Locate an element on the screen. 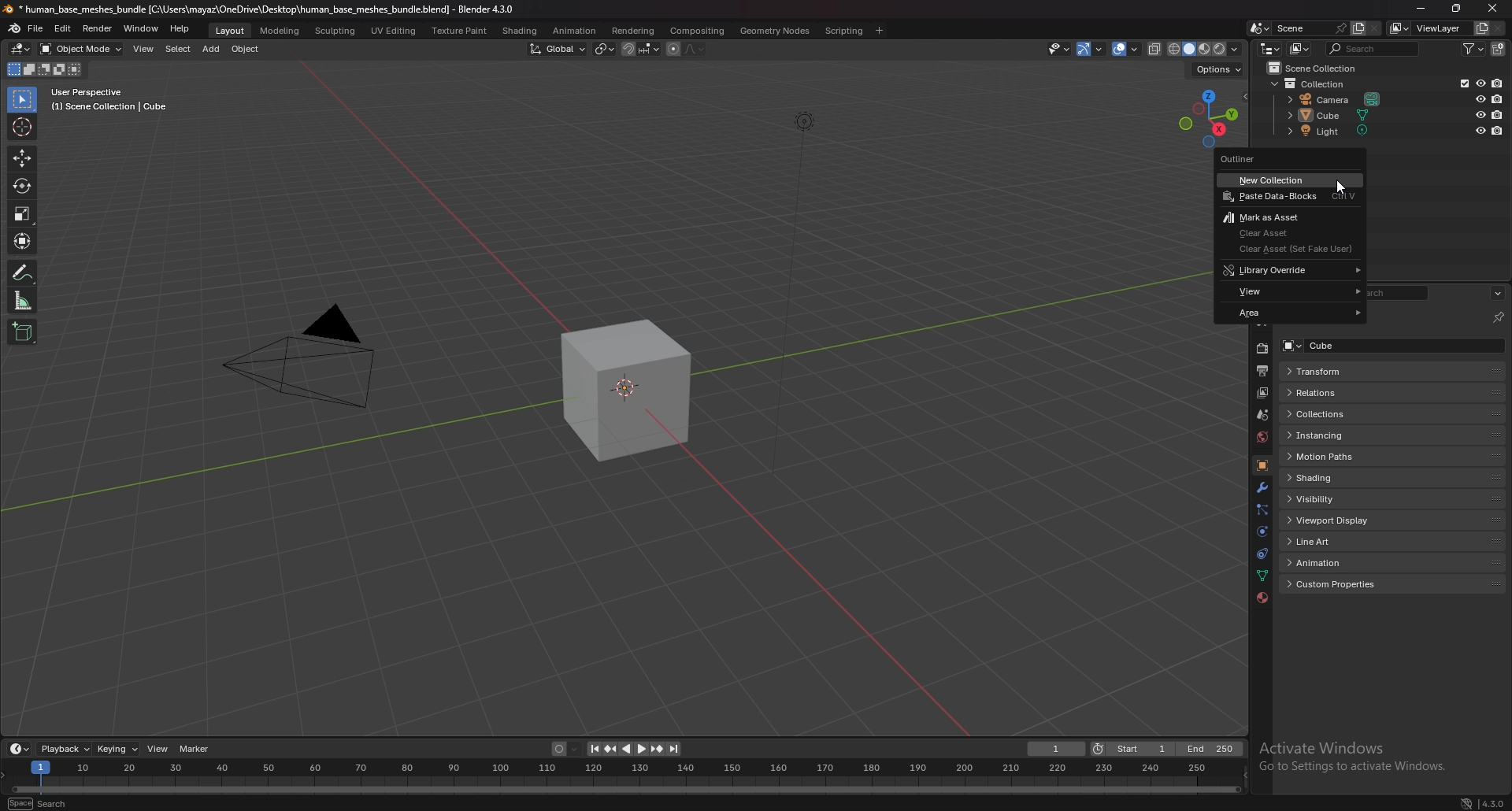 This screenshot has height=811, width=1512. view is located at coordinates (145, 49).